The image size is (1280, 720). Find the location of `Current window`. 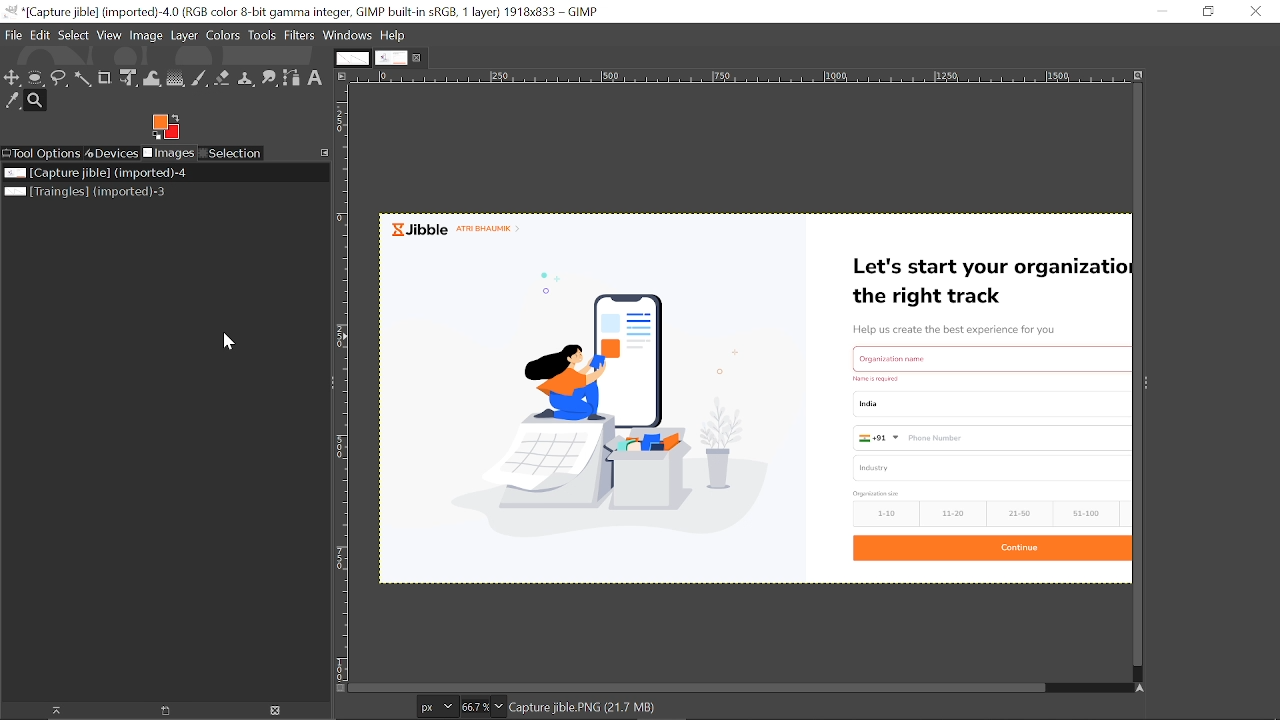

Current window is located at coordinates (303, 12).